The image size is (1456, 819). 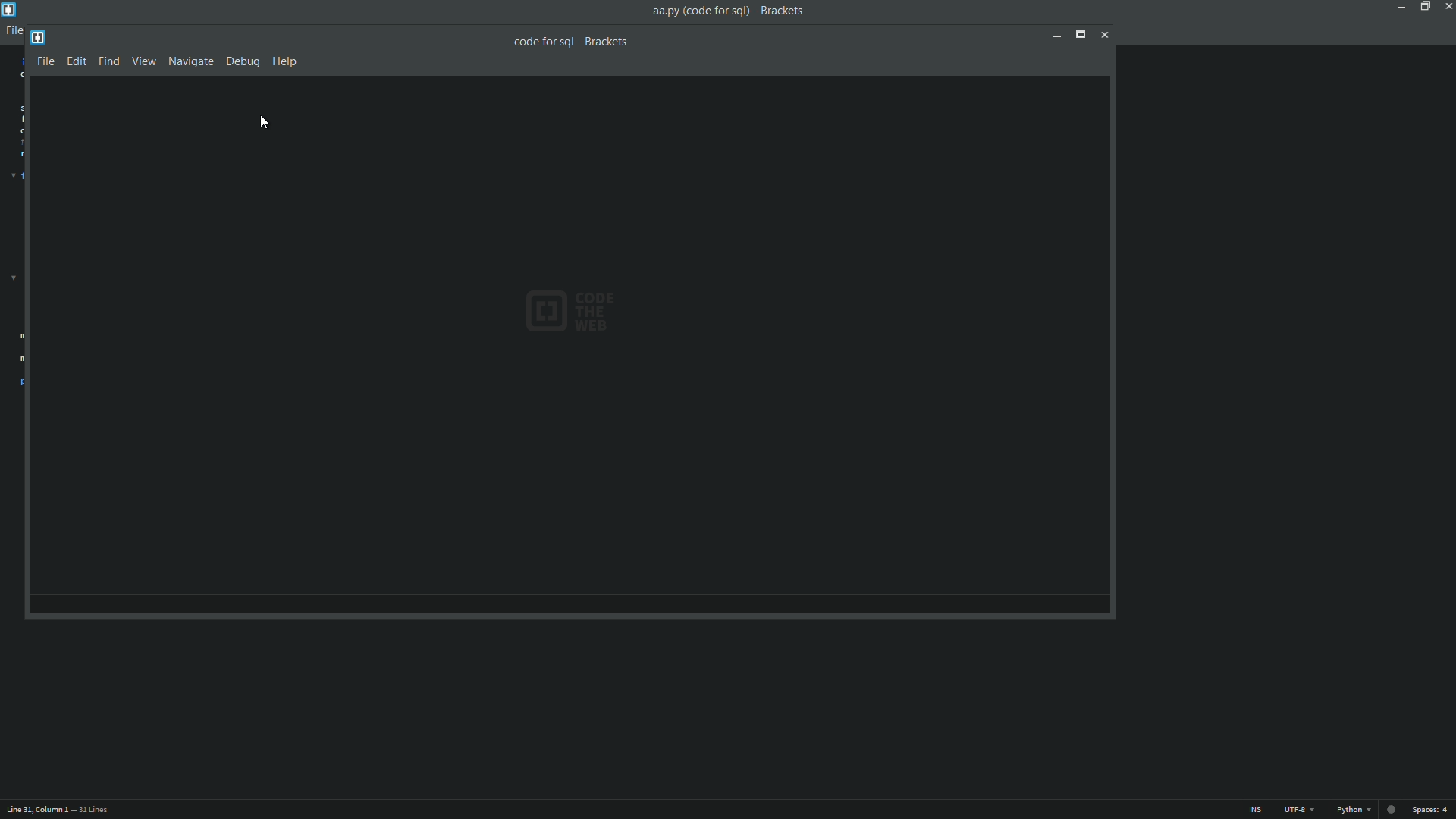 I want to click on cursor on new tab, so click(x=267, y=124).